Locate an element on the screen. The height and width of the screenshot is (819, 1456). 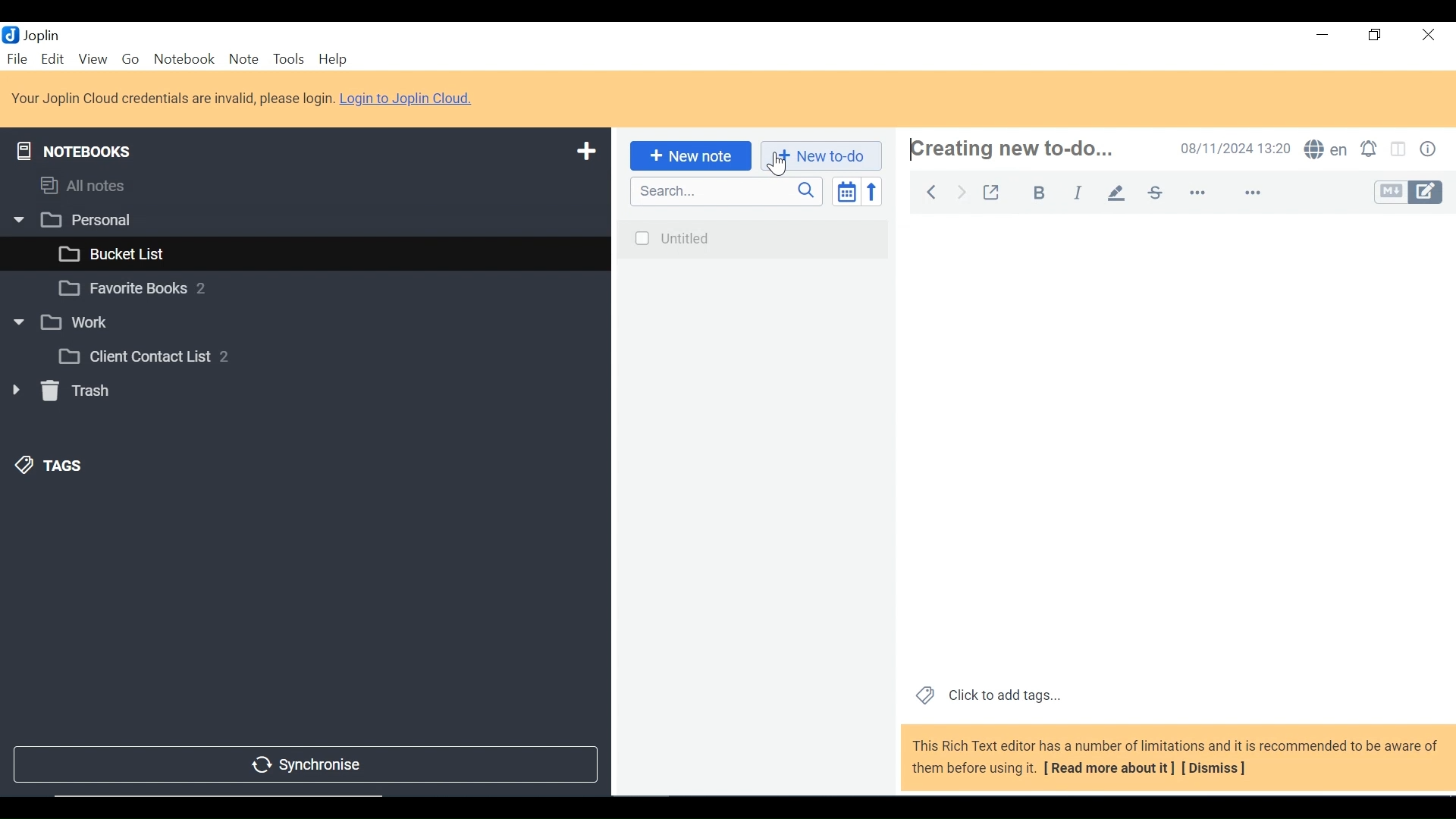
Notebook is located at coordinates (184, 60).